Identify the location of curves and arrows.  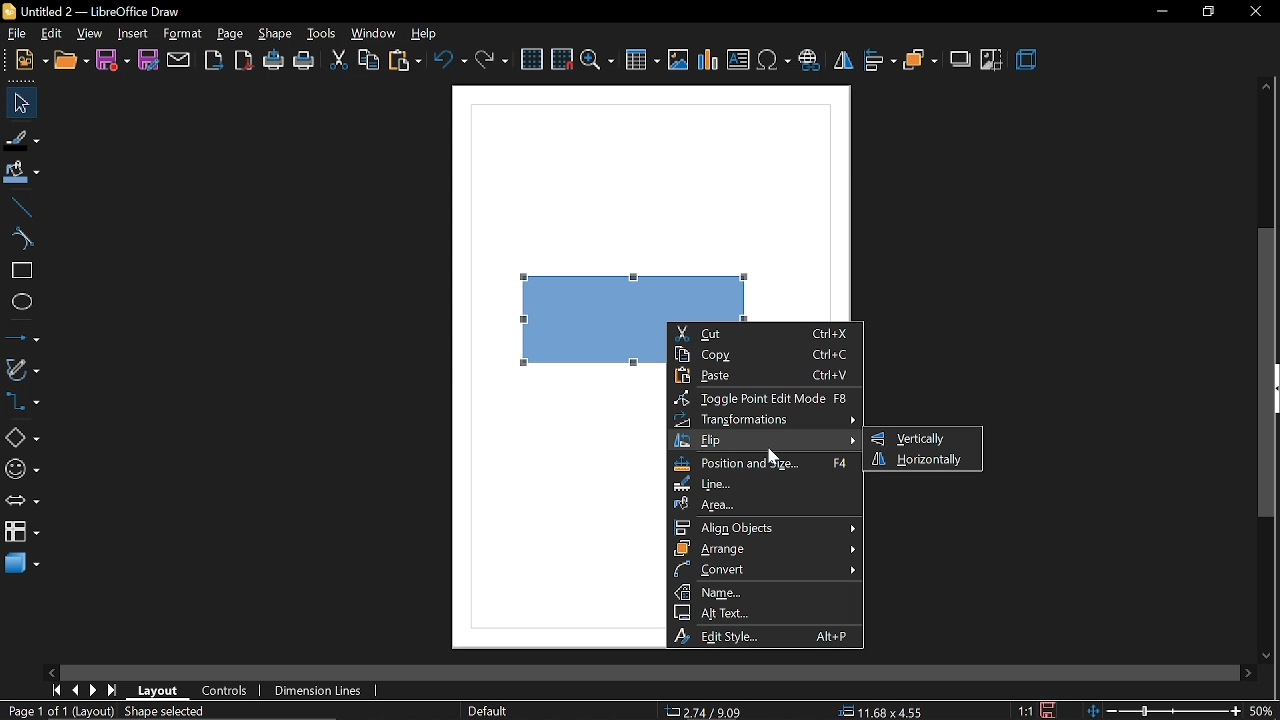
(23, 369).